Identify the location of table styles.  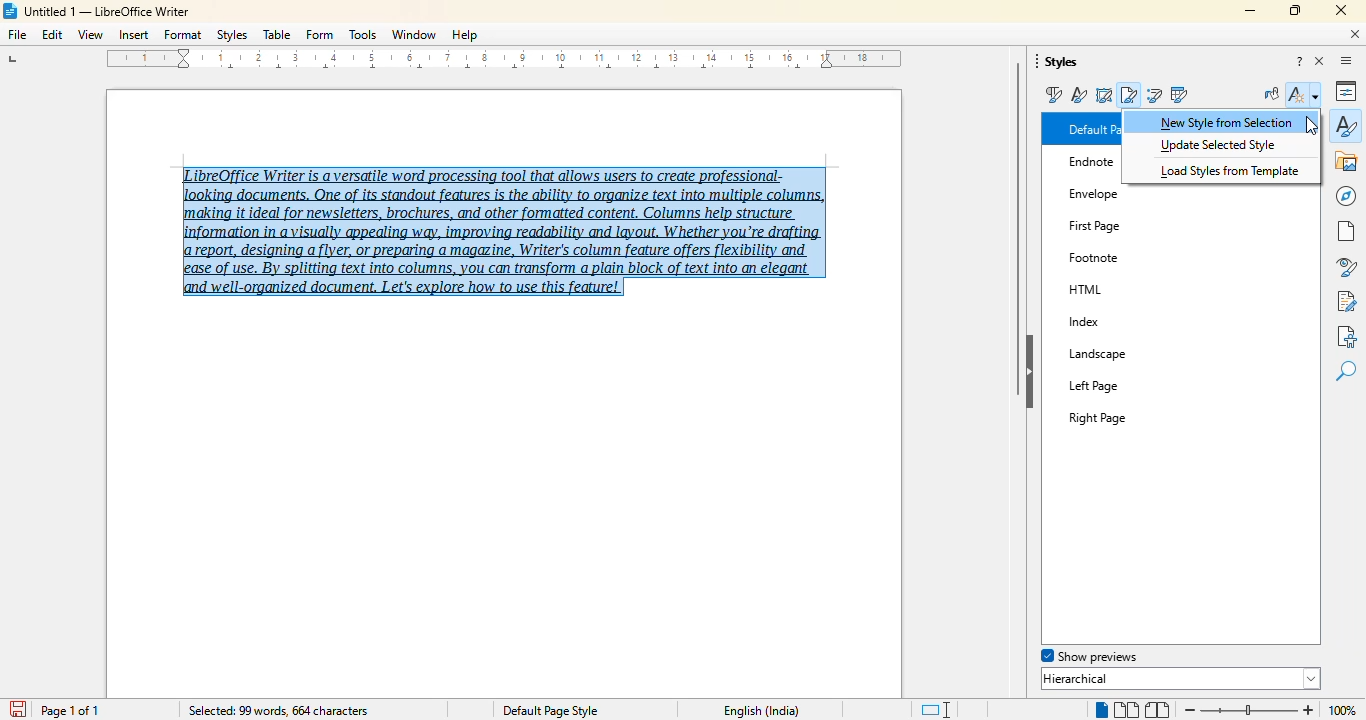
(1178, 94).